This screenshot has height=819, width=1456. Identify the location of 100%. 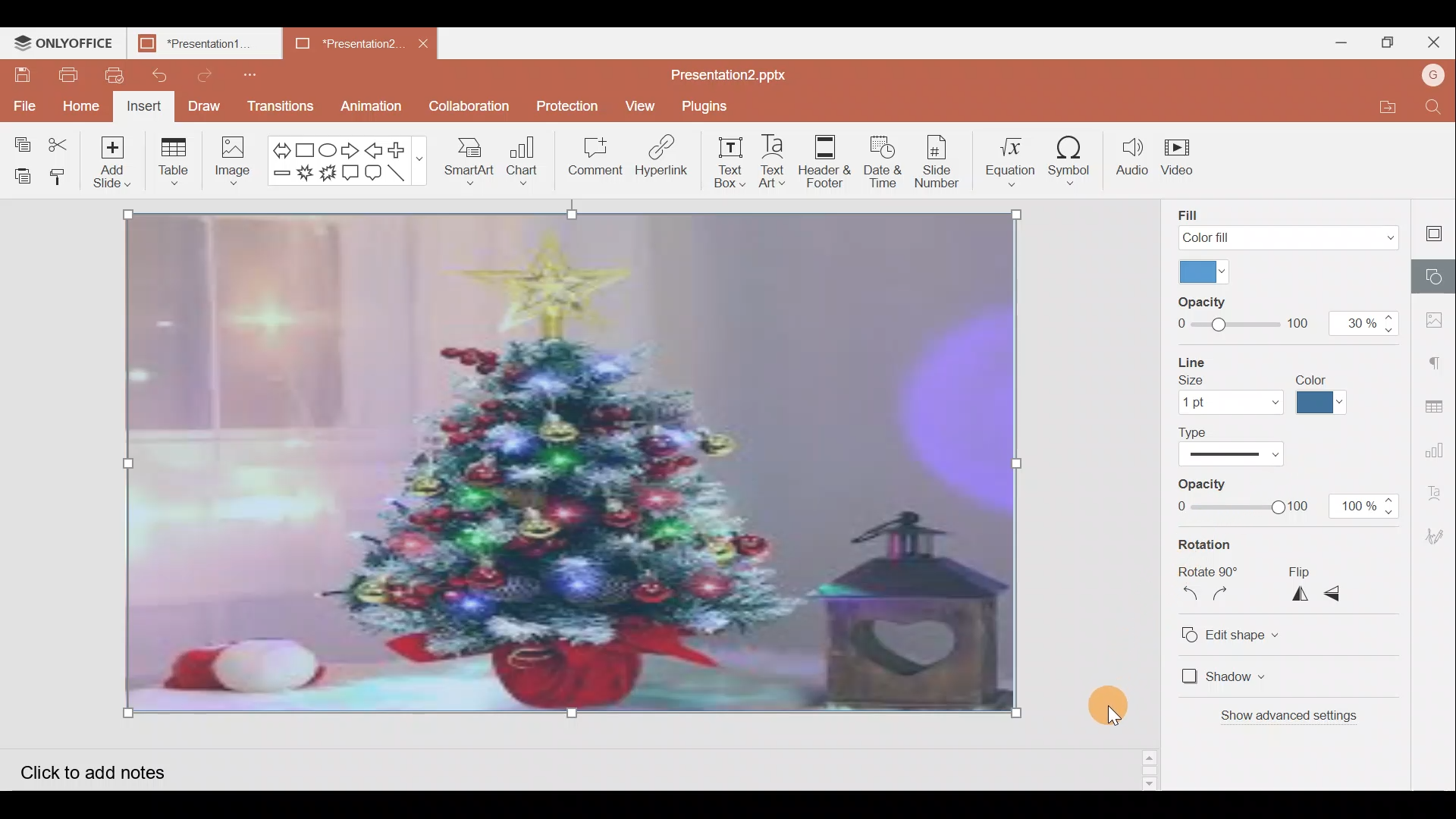
(1365, 508).